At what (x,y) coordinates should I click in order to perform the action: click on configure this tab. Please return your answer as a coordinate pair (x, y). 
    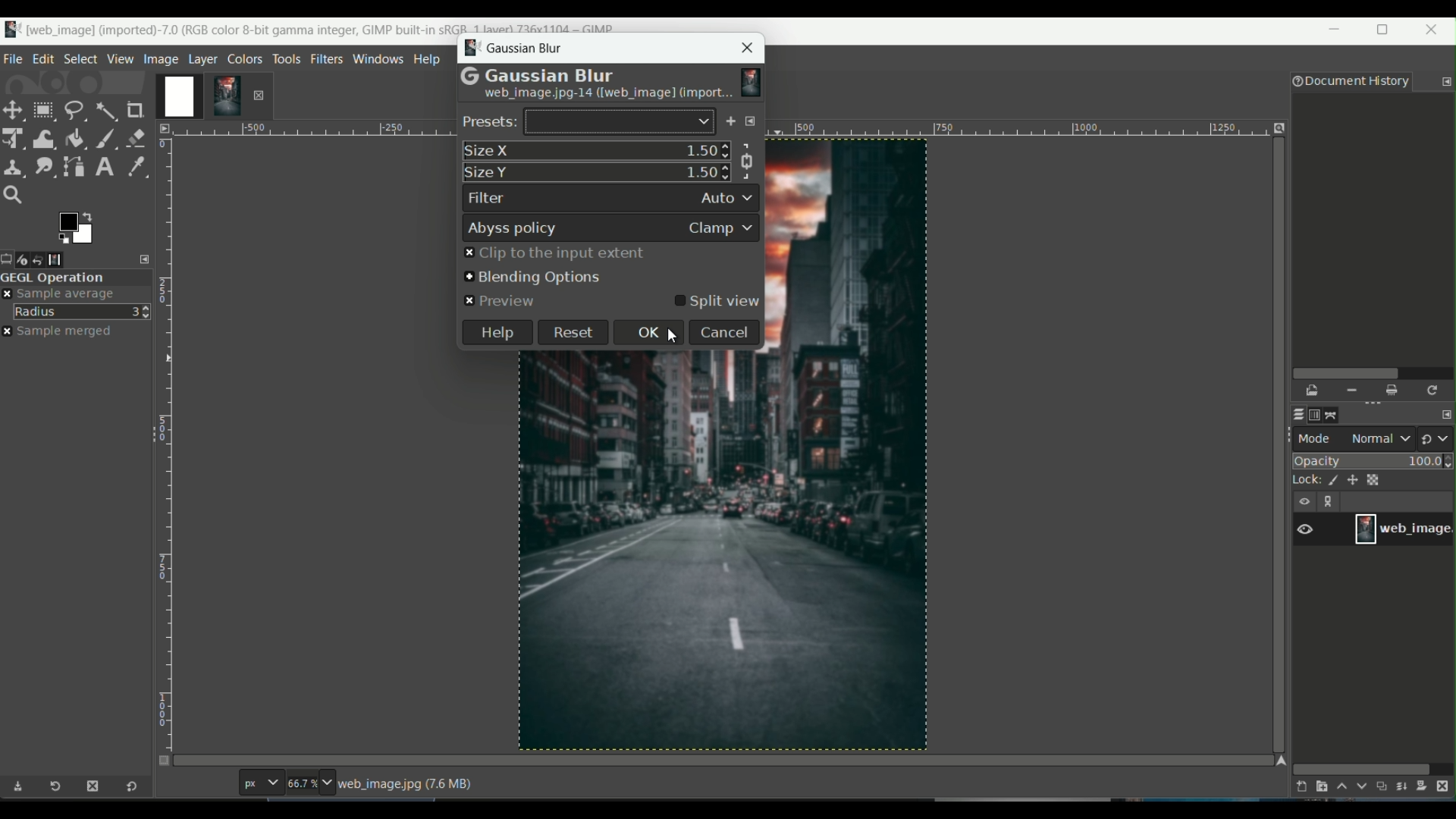
    Looking at the image, I should click on (1446, 82).